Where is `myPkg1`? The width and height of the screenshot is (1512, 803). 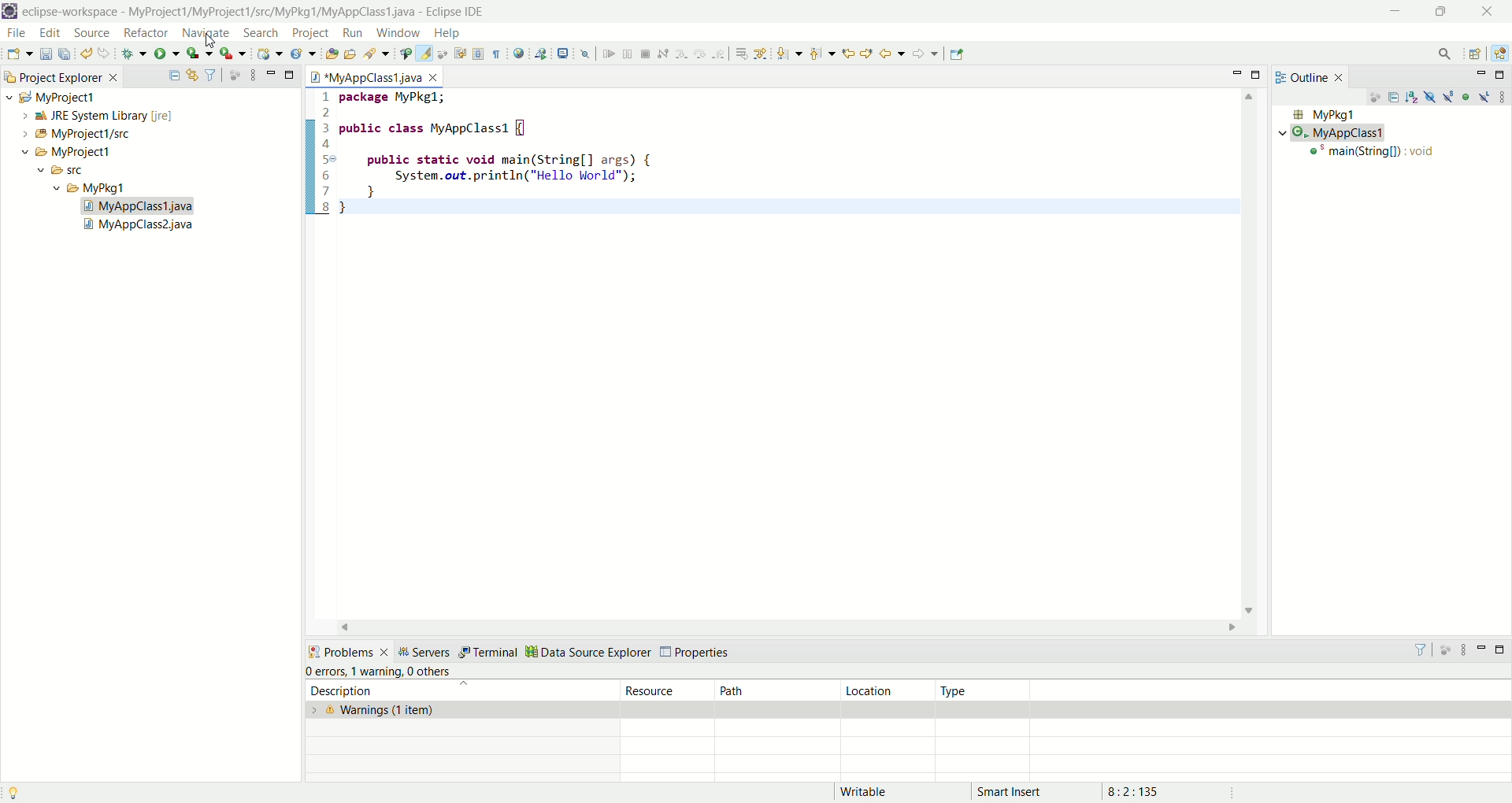
myPkg1 is located at coordinates (1322, 115).